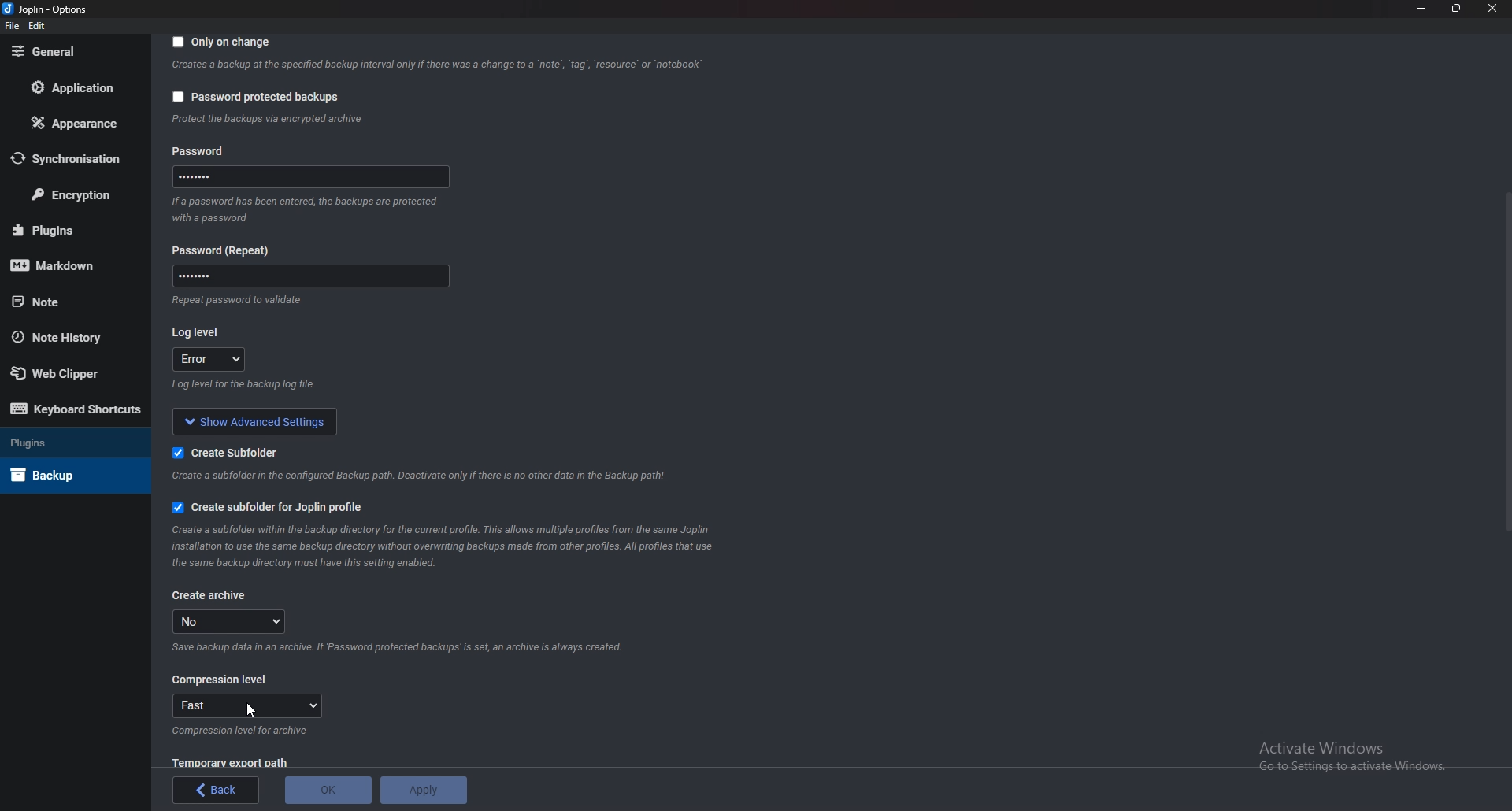 This screenshot has height=811, width=1512. What do you see at coordinates (70, 124) in the screenshot?
I see `Appearance` at bounding box center [70, 124].